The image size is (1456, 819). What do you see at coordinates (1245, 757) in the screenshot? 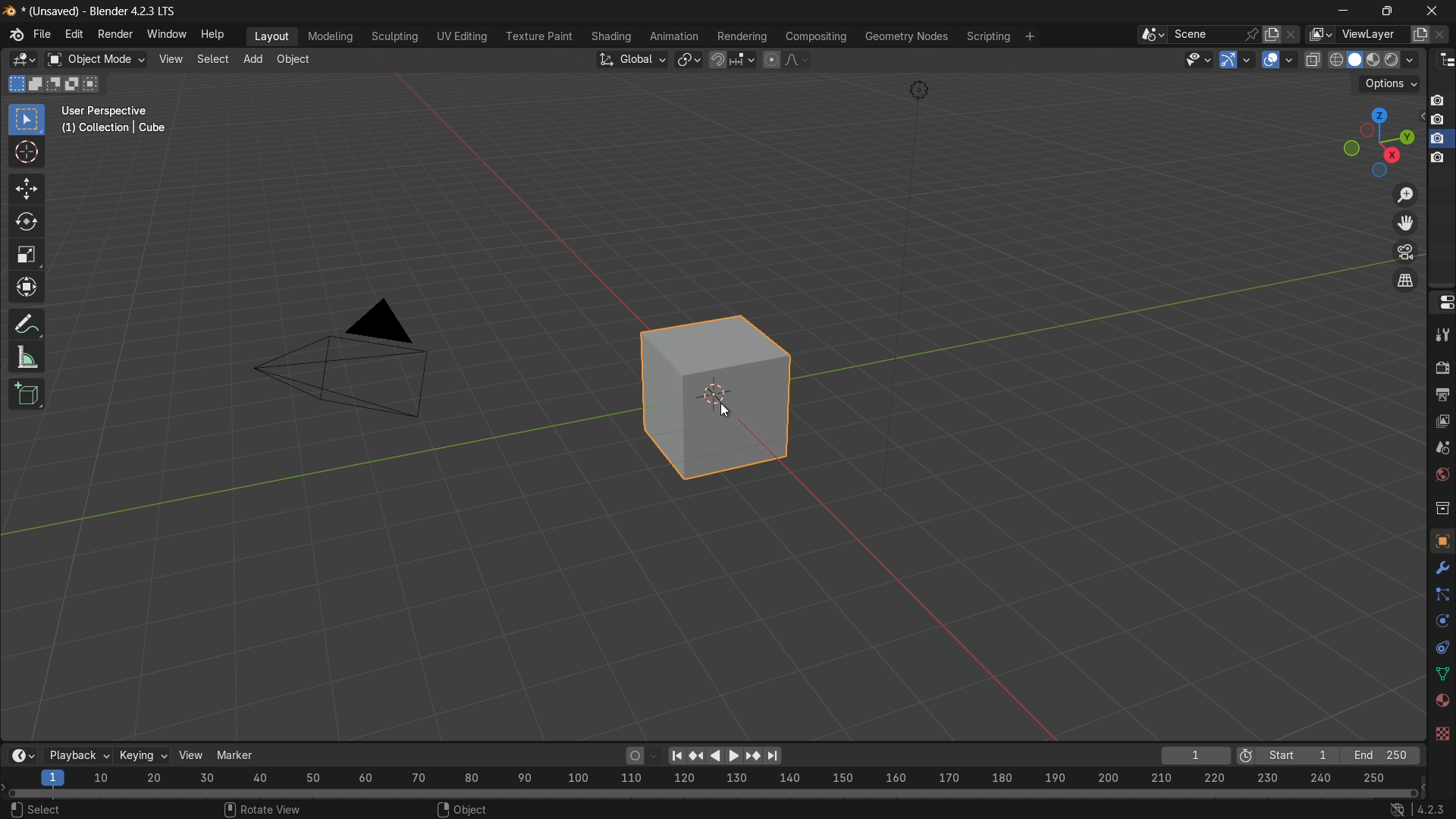
I see `use preview range` at bounding box center [1245, 757].